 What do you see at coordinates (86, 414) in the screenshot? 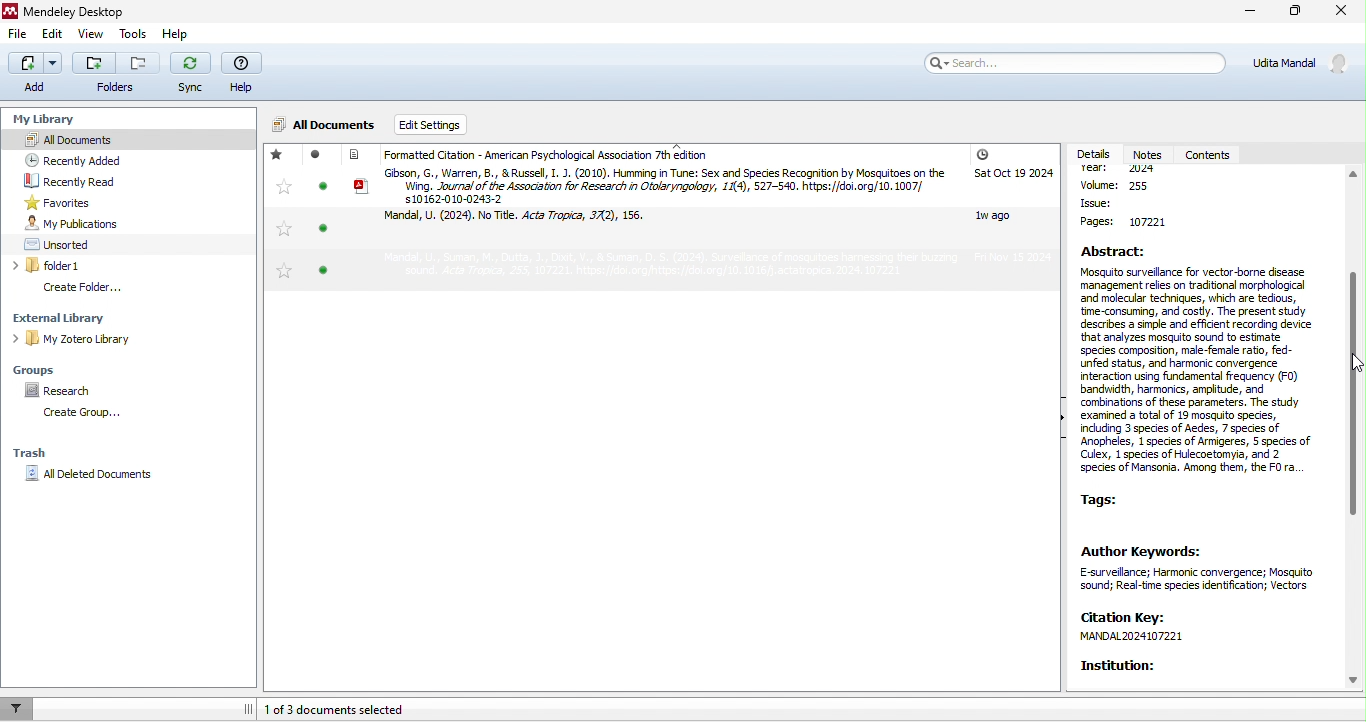
I see `create group` at bounding box center [86, 414].